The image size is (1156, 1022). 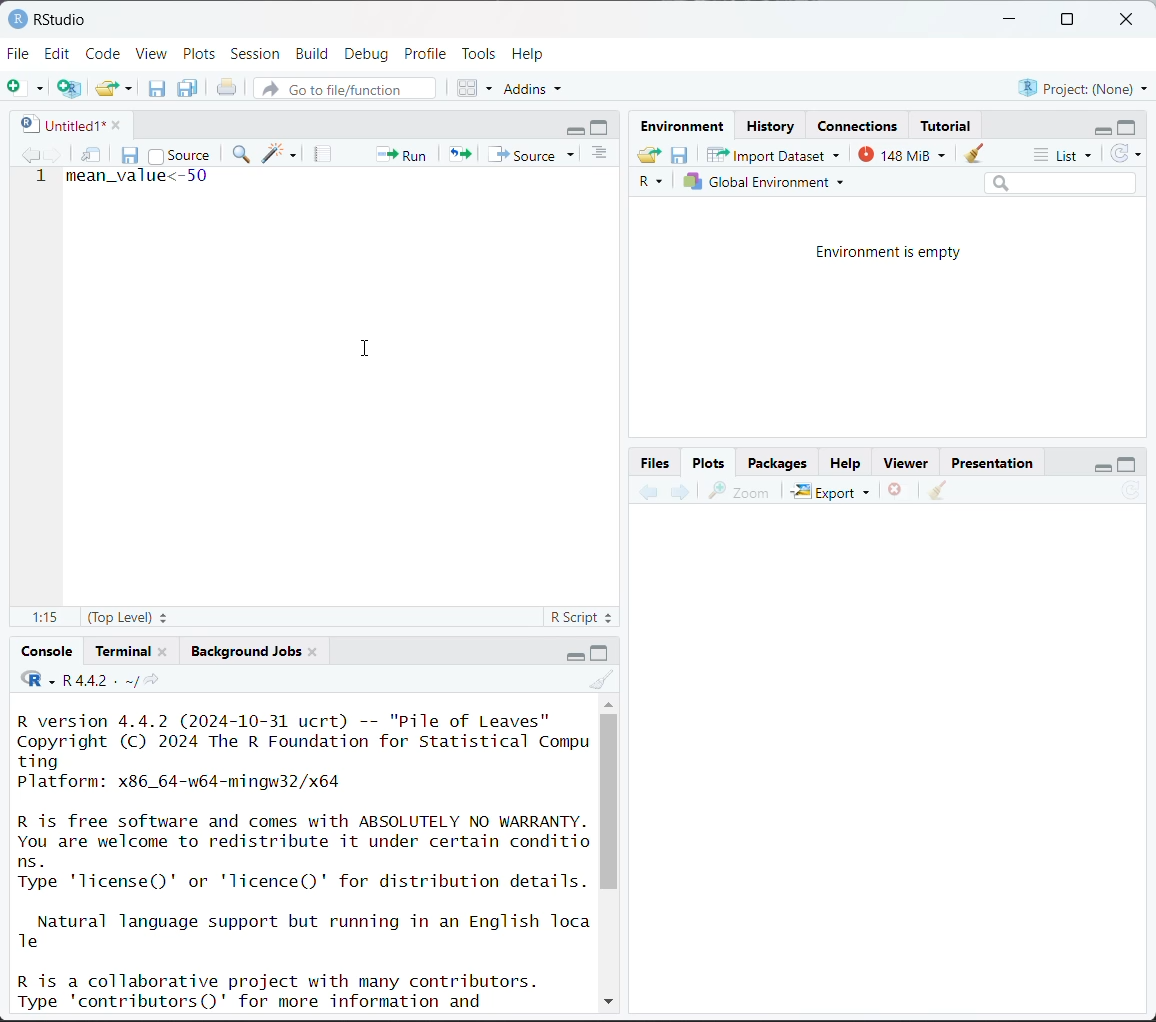 What do you see at coordinates (571, 654) in the screenshot?
I see `minimize` at bounding box center [571, 654].